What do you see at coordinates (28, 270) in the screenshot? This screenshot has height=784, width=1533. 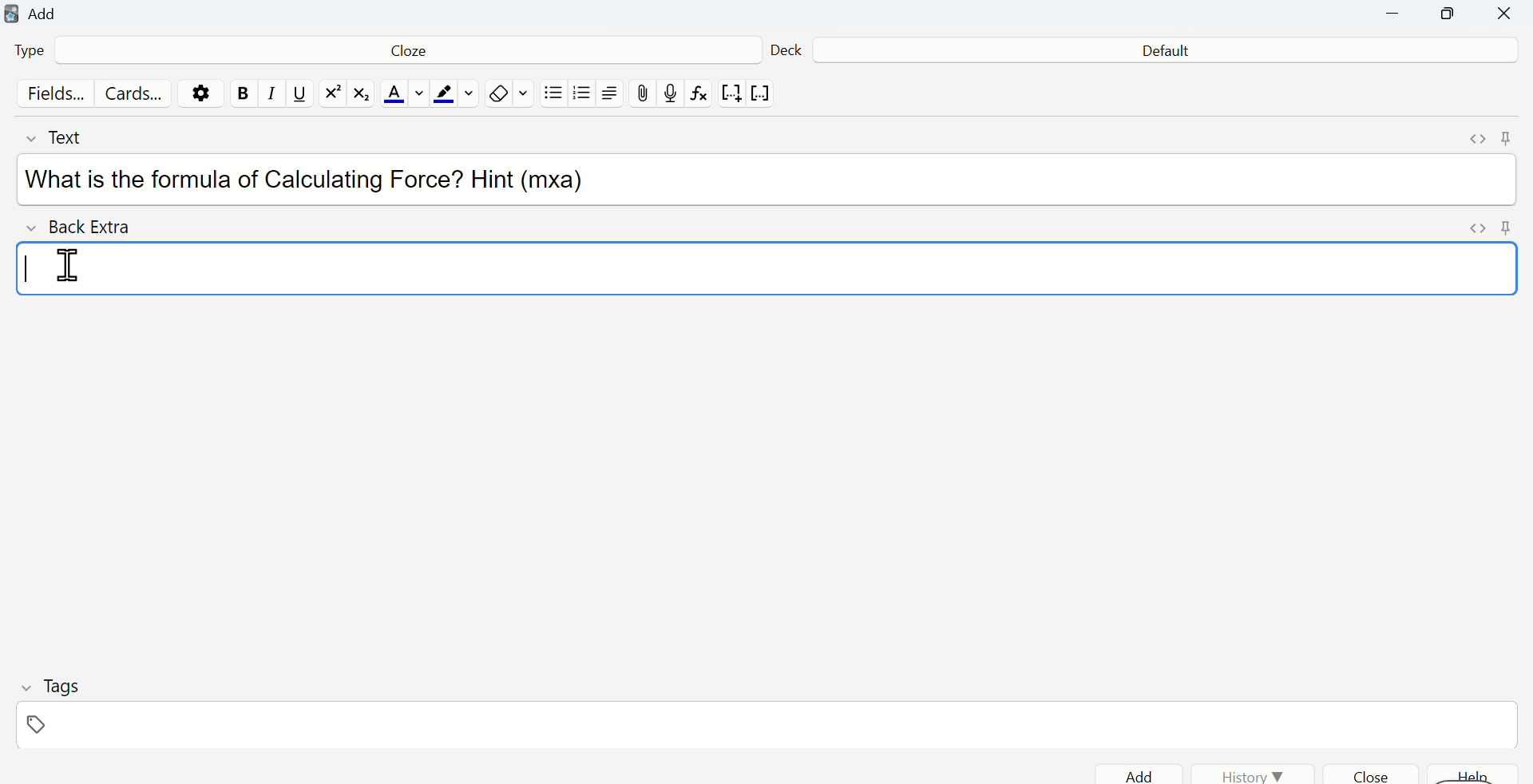 I see `Text cursor` at bounding box center [28, 270].